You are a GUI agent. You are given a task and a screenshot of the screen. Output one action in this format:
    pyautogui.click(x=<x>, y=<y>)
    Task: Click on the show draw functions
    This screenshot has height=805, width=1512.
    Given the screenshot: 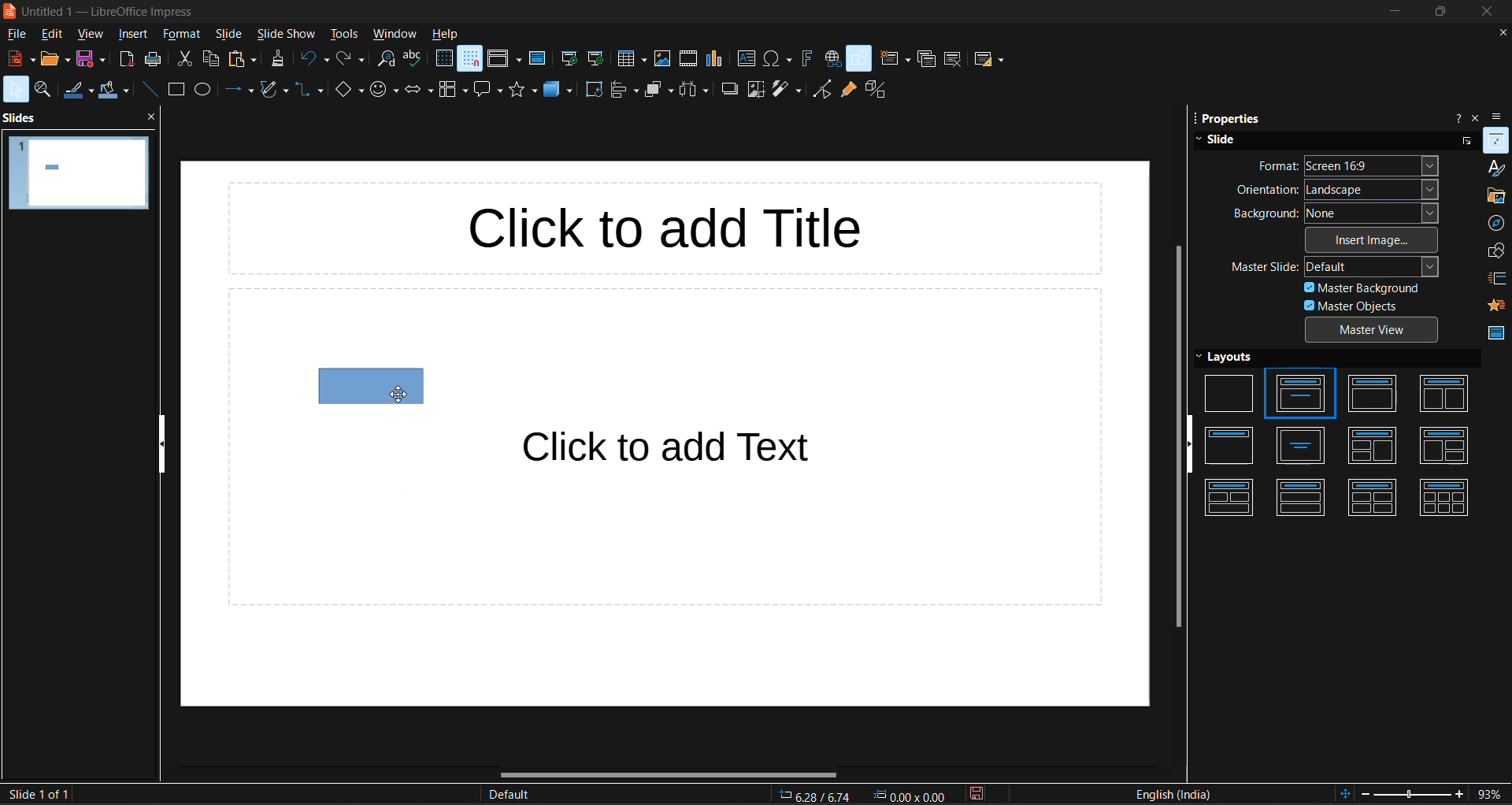 What is the action you would take?
    pyautogui.click(x=860, y=58)
    